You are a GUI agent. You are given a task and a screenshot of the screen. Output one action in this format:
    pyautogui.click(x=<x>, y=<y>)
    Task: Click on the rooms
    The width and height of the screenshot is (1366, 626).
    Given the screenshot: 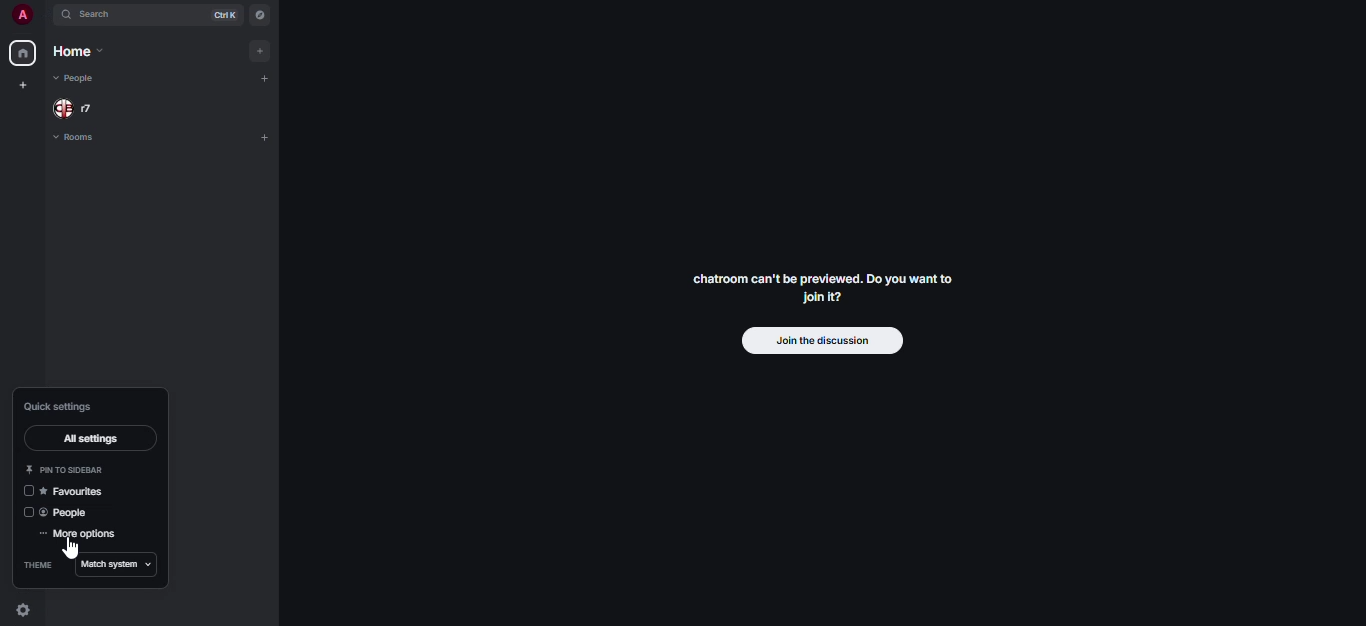 What is the action you would take?
    pyautogui.click(x=96, y=141)
    